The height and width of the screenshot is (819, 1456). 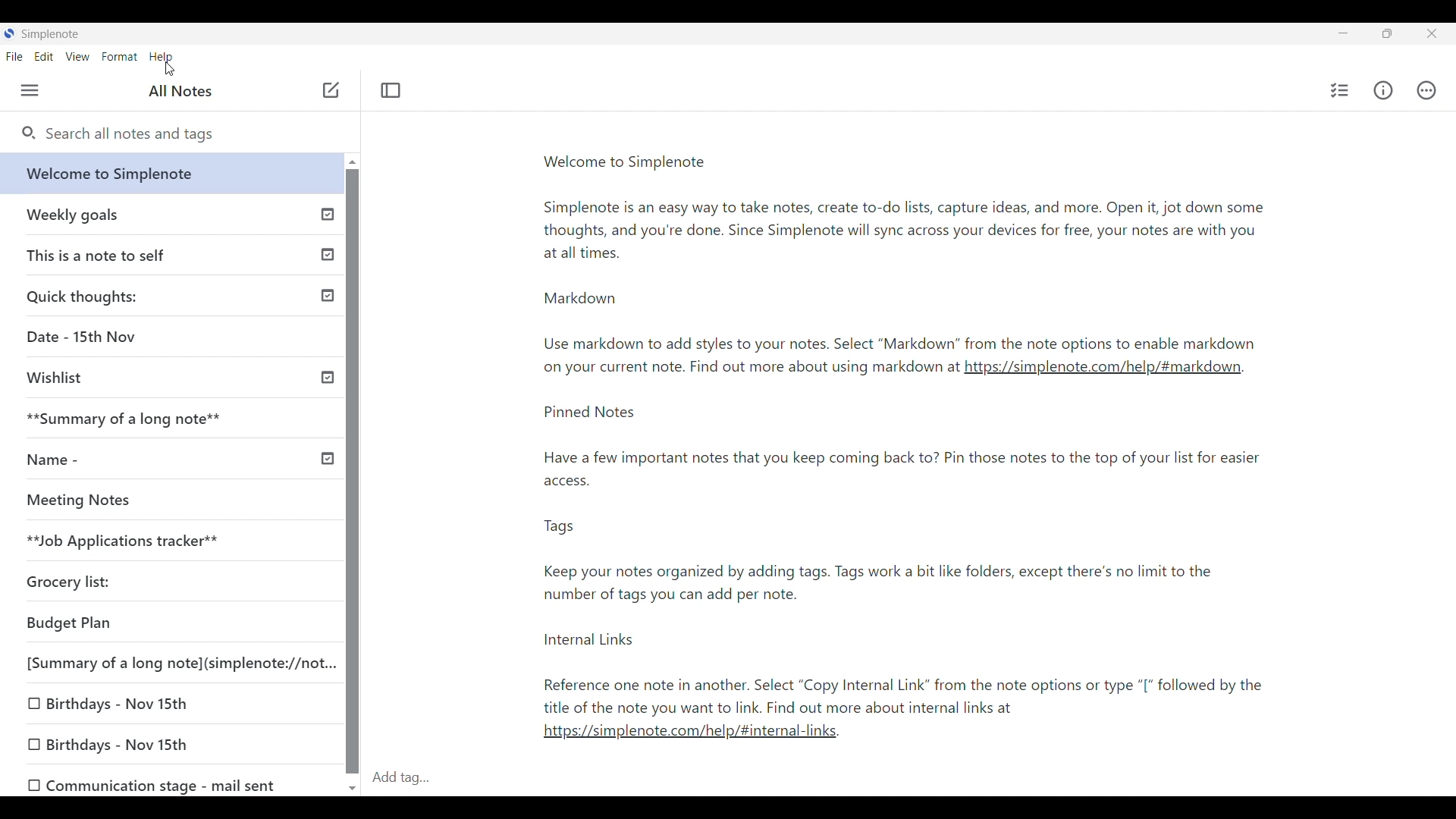 I want to click on Actions, so click(x=1426, y=90).